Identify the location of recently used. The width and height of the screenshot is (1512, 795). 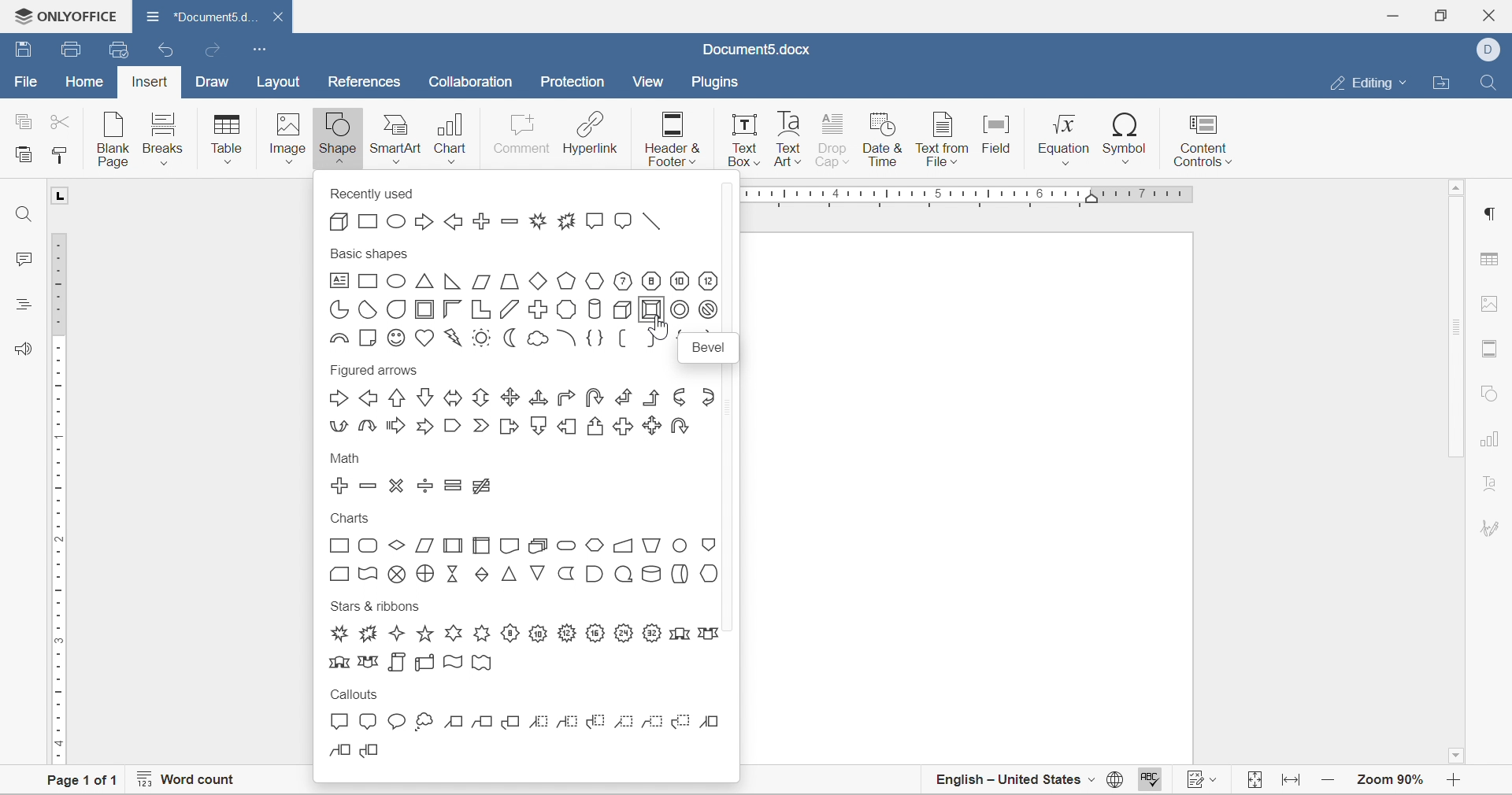
(500, 212).